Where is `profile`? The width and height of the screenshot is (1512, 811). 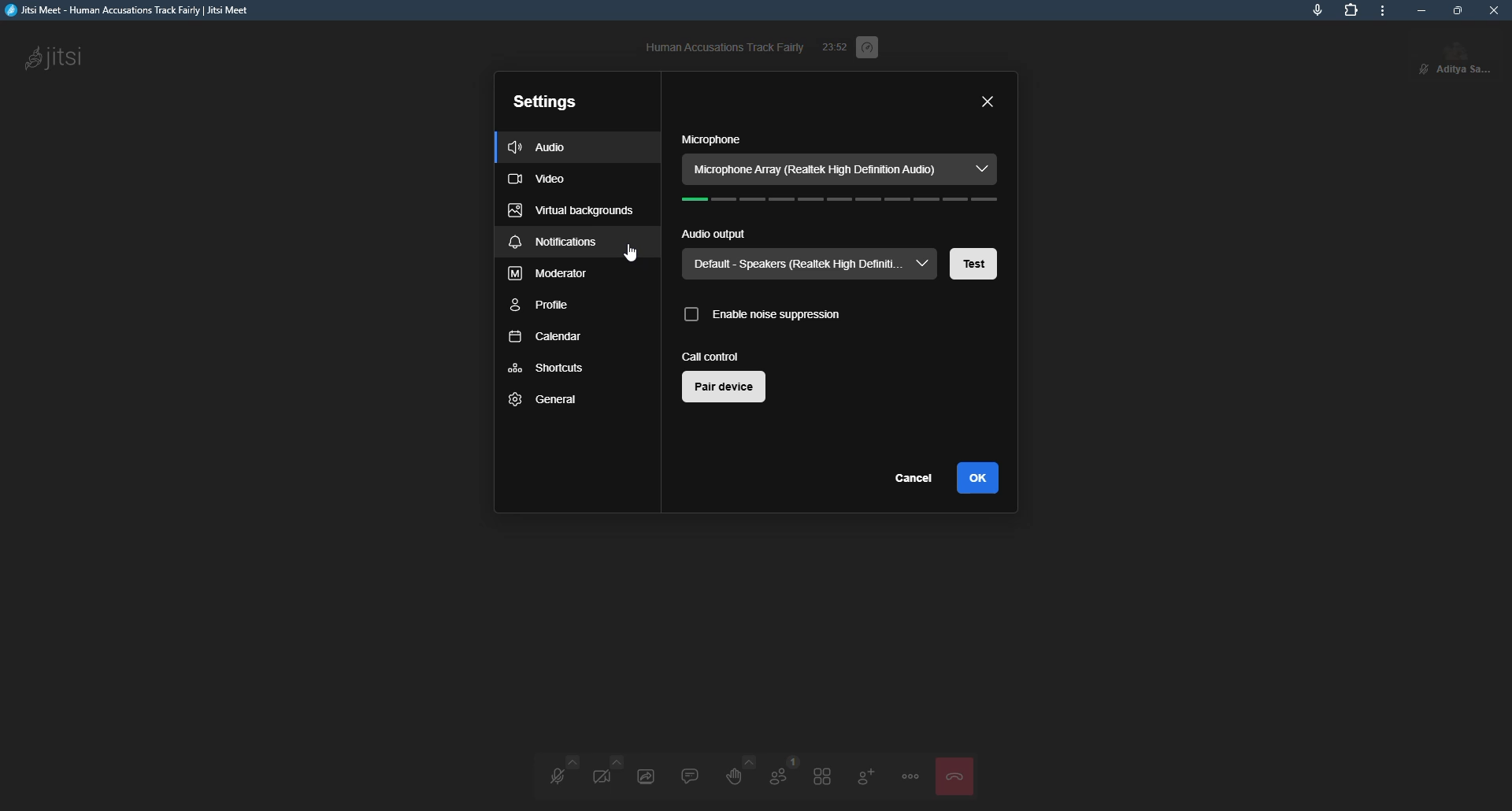
profile is located at coordinates (1467, 60).